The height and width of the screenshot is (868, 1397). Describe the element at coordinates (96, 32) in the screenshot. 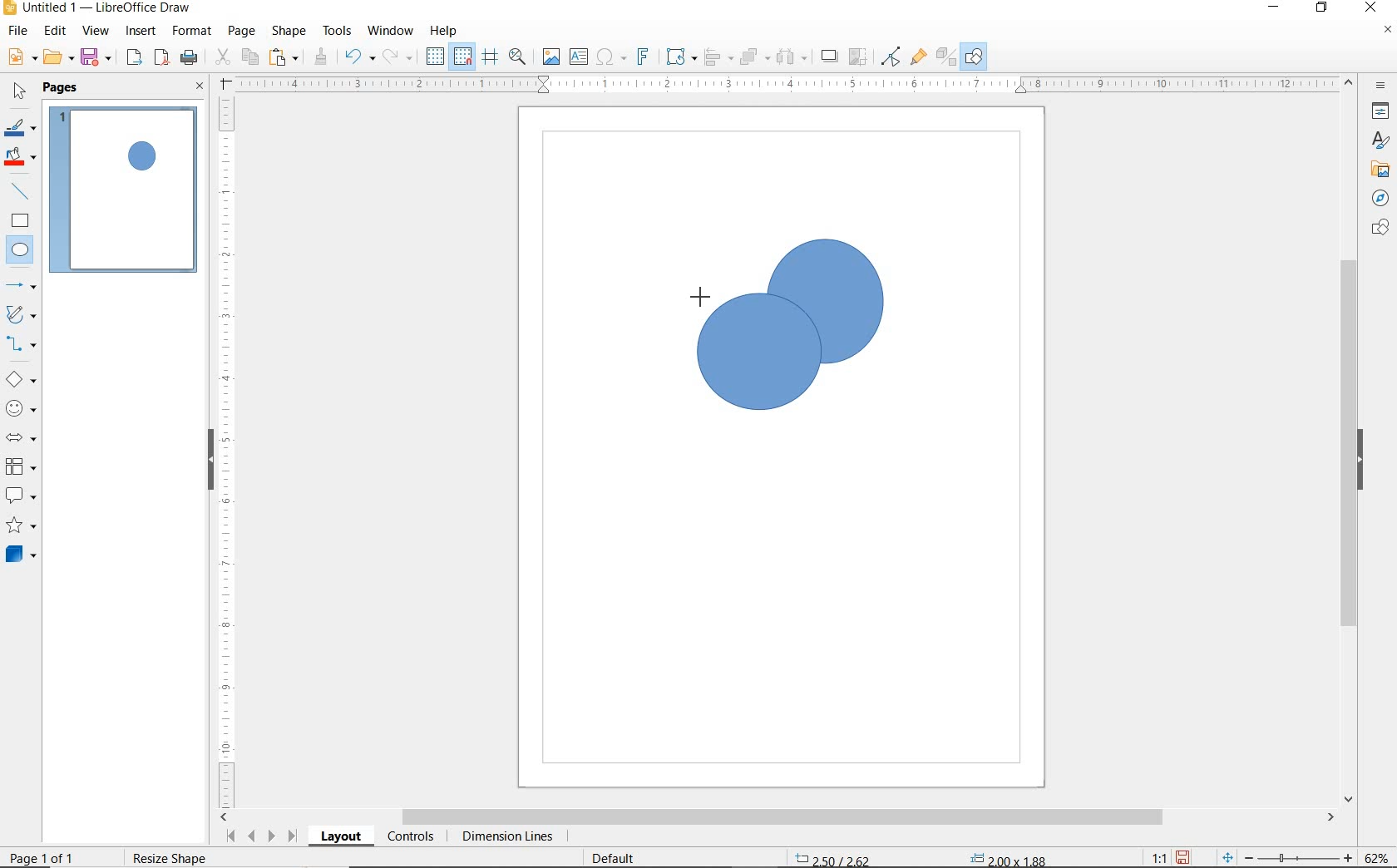

I see `VIEW` at that location.